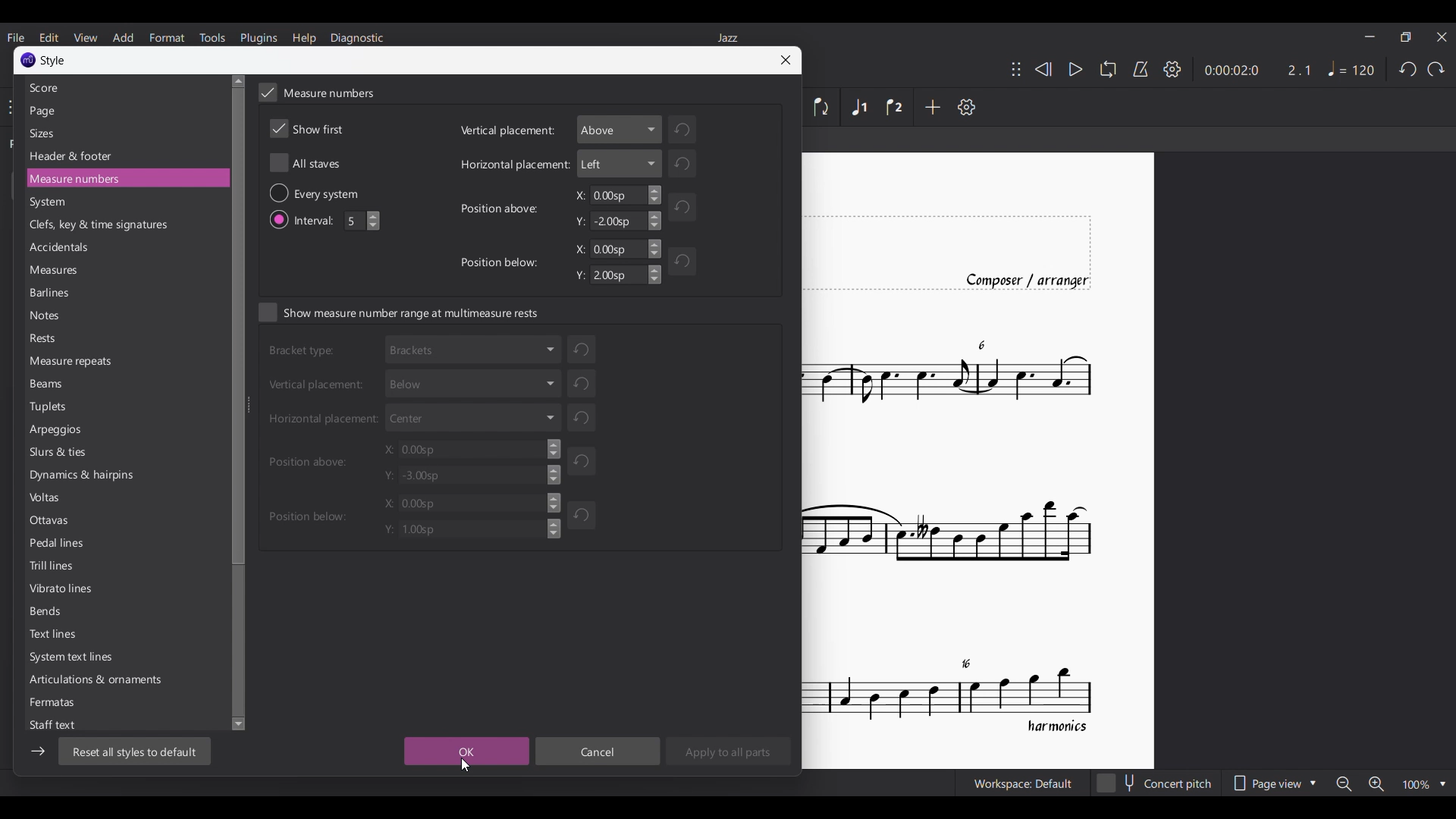 The image size is (1456, 819). Describe the element at coordinates (1023, 783) in the screenshot. I see `Current workspace setting` at that location.